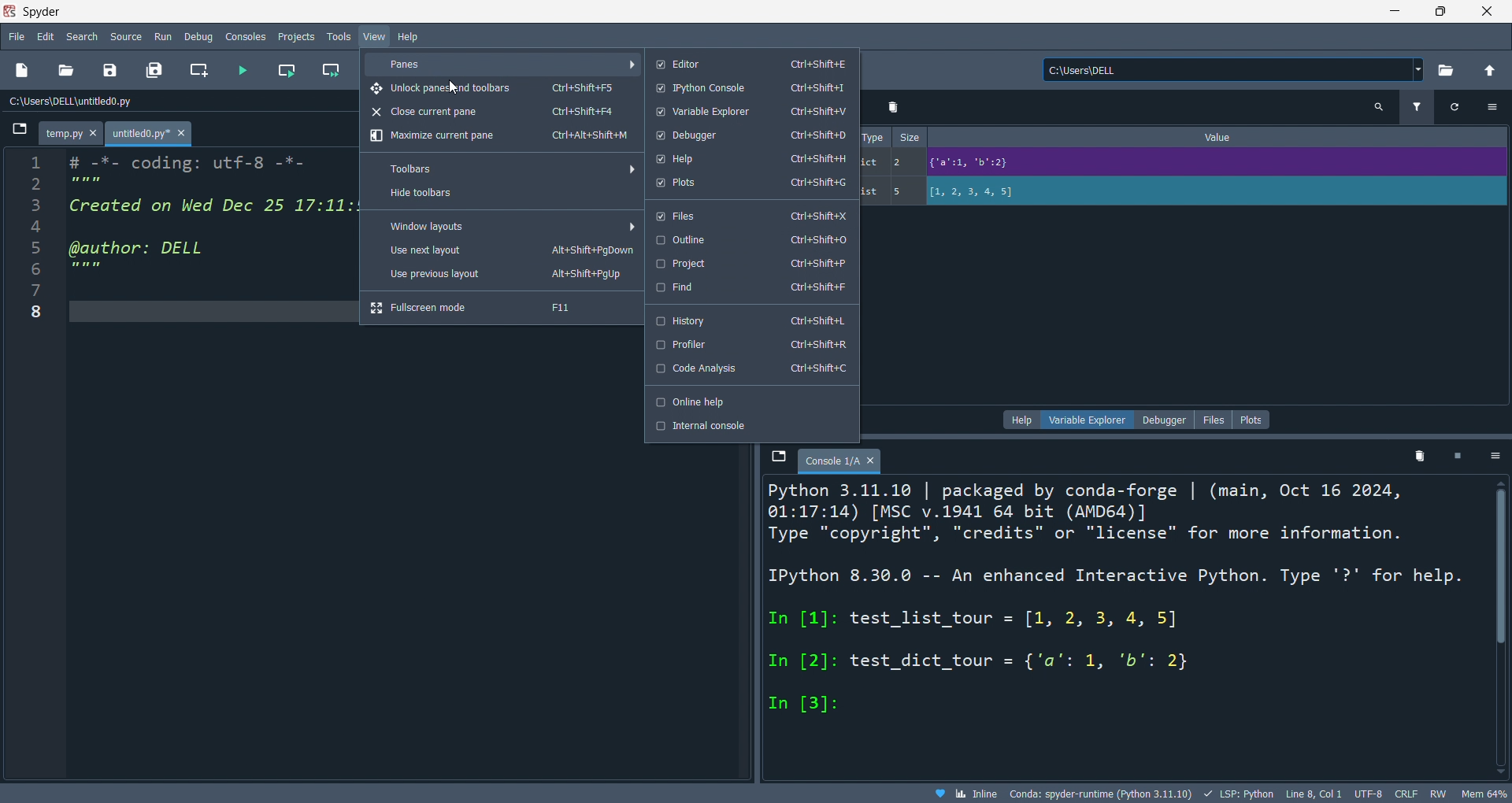  What do you see at coordinates (750, 288) in the screenshot?
I see `find` at bounding box center [750, 288].